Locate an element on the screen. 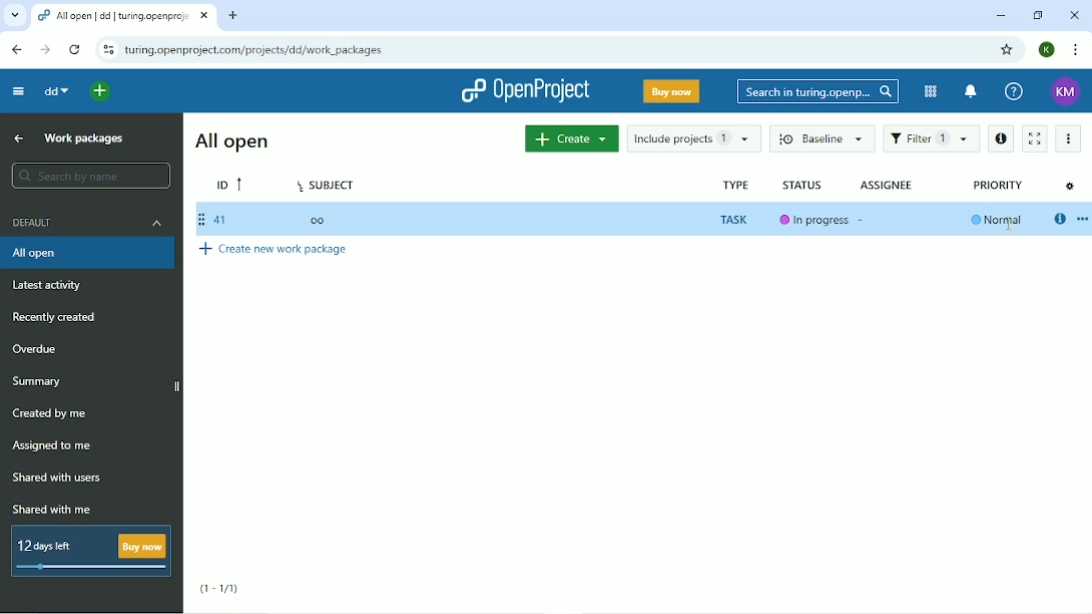 Image resolution: width=1092 pixels, height=614 pixels. Buy now is located at coordinates (671, 90).